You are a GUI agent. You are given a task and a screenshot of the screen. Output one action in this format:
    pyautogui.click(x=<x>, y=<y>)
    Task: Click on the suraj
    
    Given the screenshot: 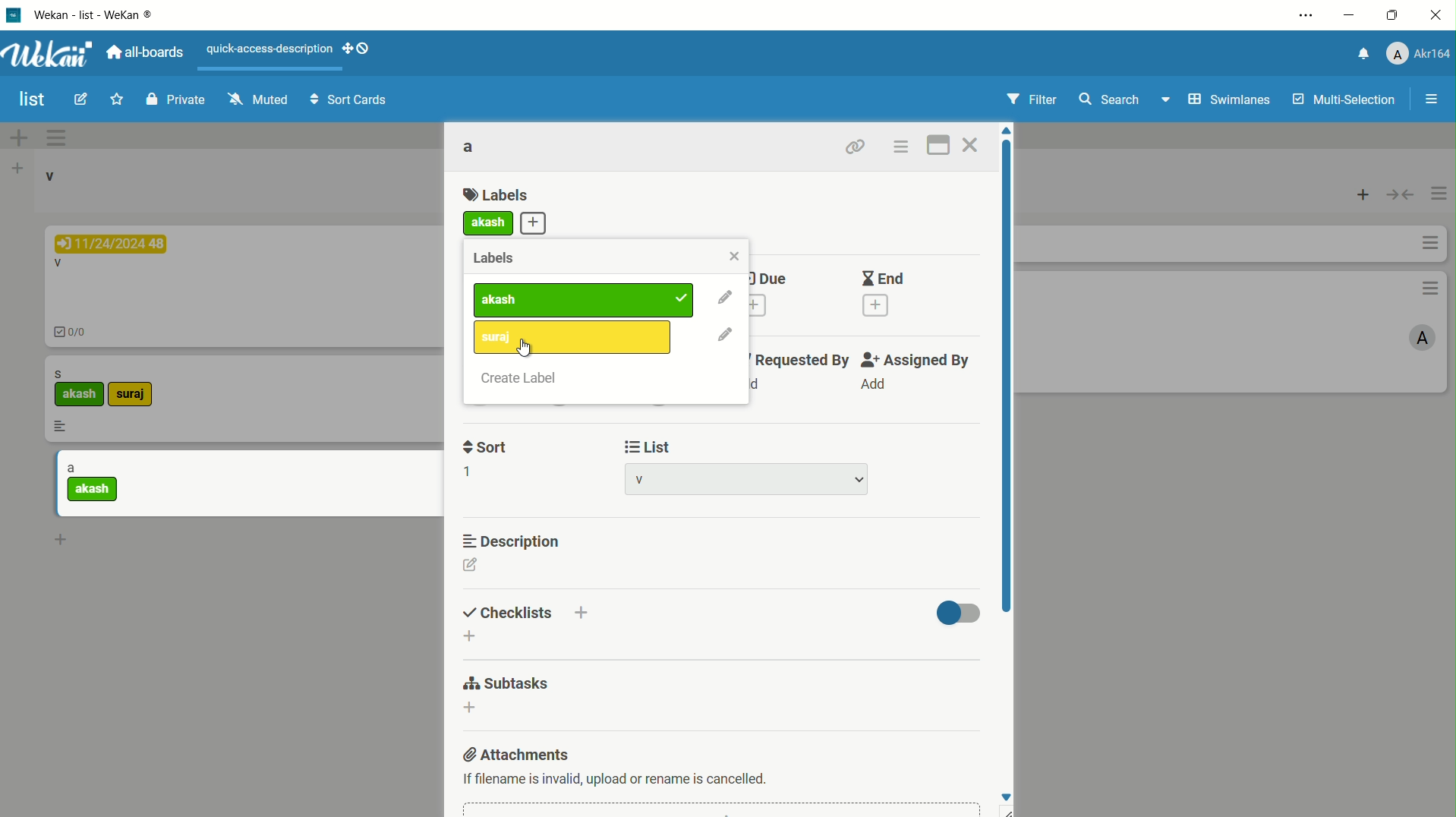 What is the action you would take?
    pyautogui.click(x=148, y=393)
    